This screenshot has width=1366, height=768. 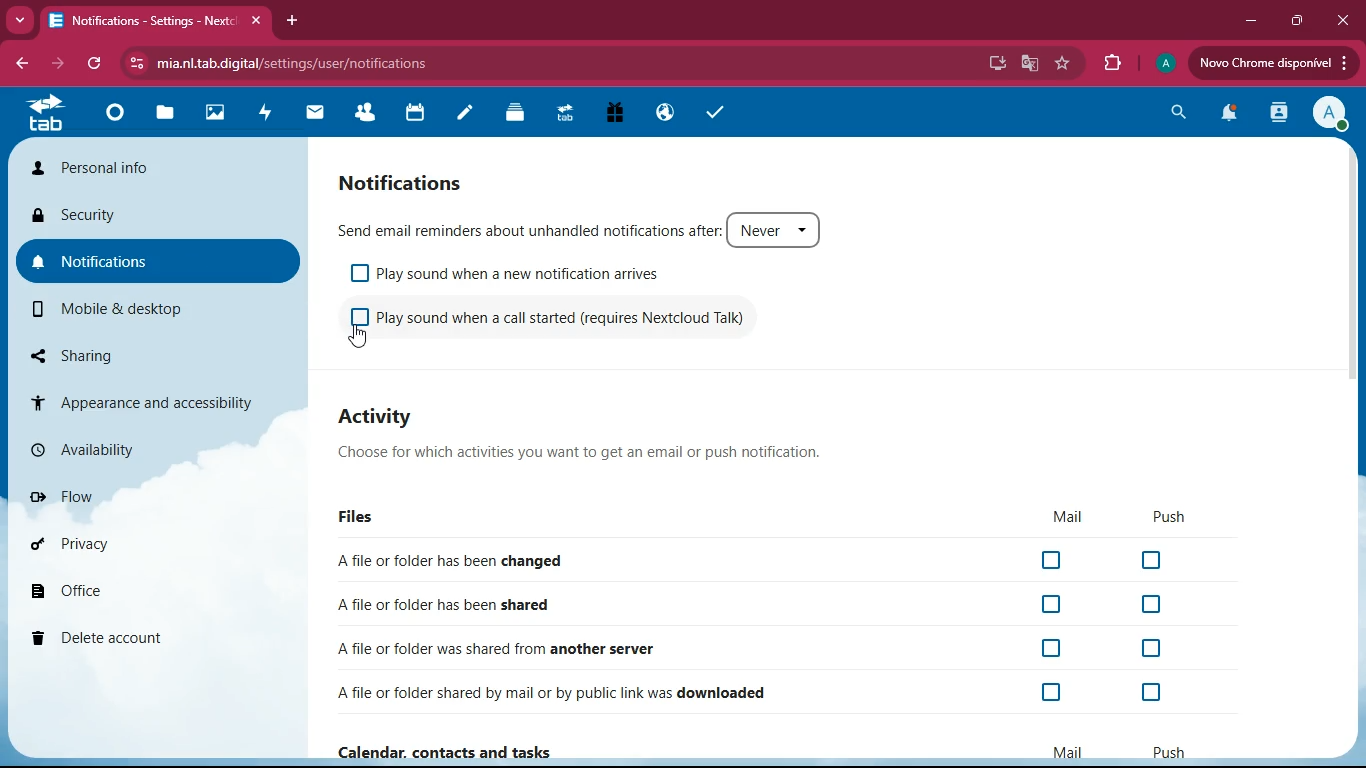 I want to click on off, so click(x=1050, y=605).